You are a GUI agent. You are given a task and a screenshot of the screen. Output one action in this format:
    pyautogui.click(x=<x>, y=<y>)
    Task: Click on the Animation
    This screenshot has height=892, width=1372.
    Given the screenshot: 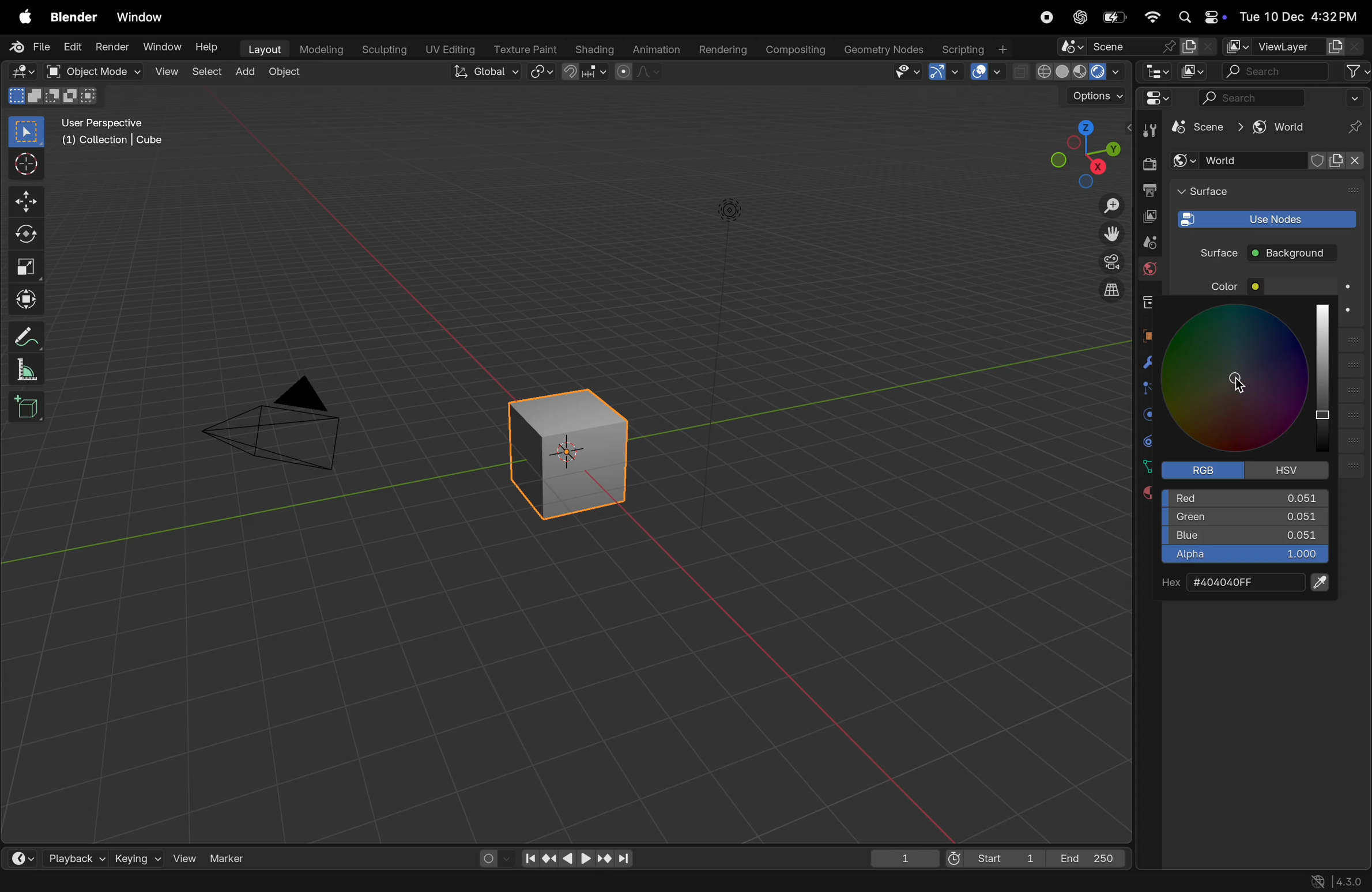 What is the action you would take?
    pyautogui.click(x=654, y=50)
    